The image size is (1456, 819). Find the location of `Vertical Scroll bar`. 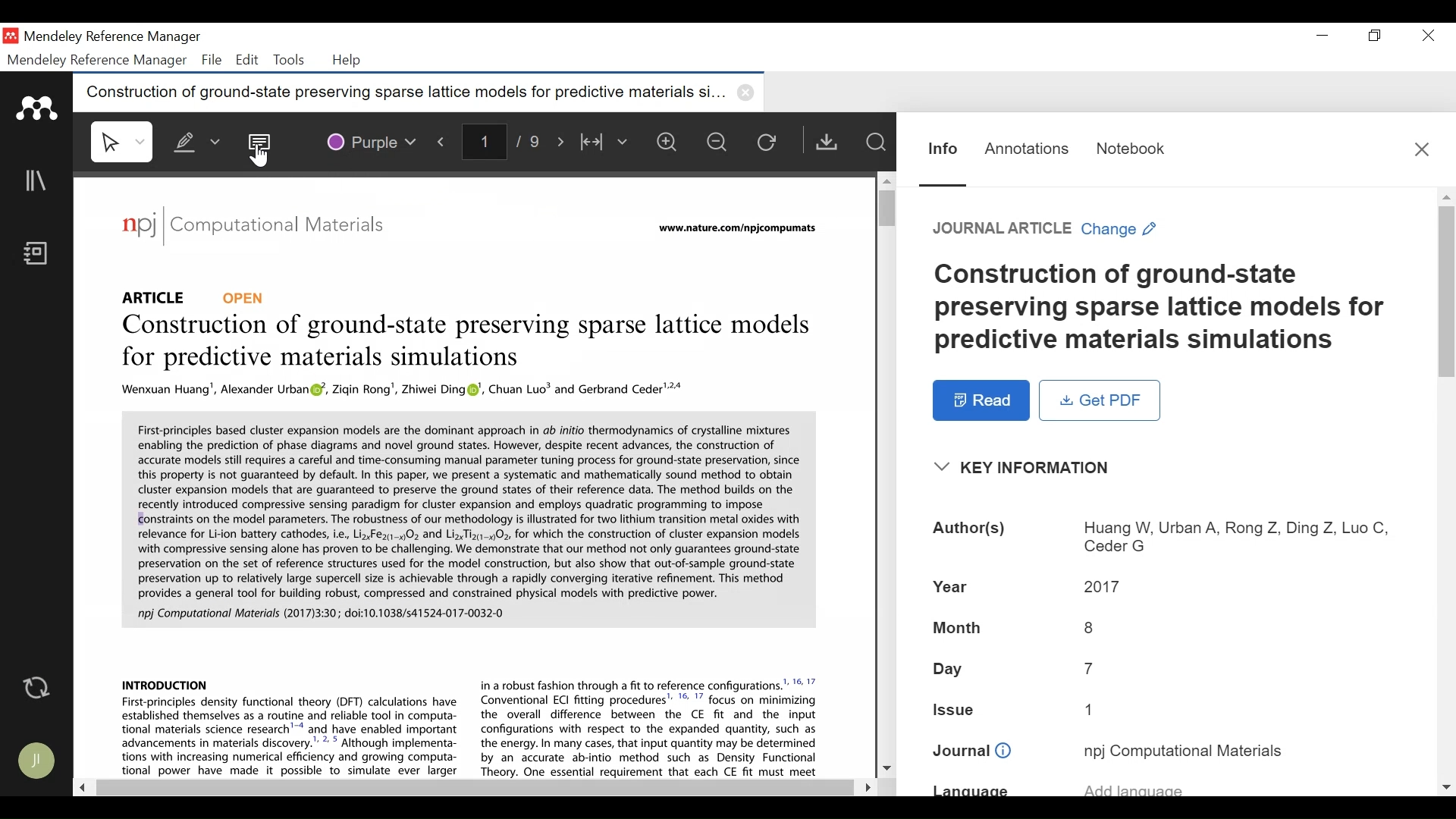

Vertical Scroll bar is located at coordinates (1447, 293).